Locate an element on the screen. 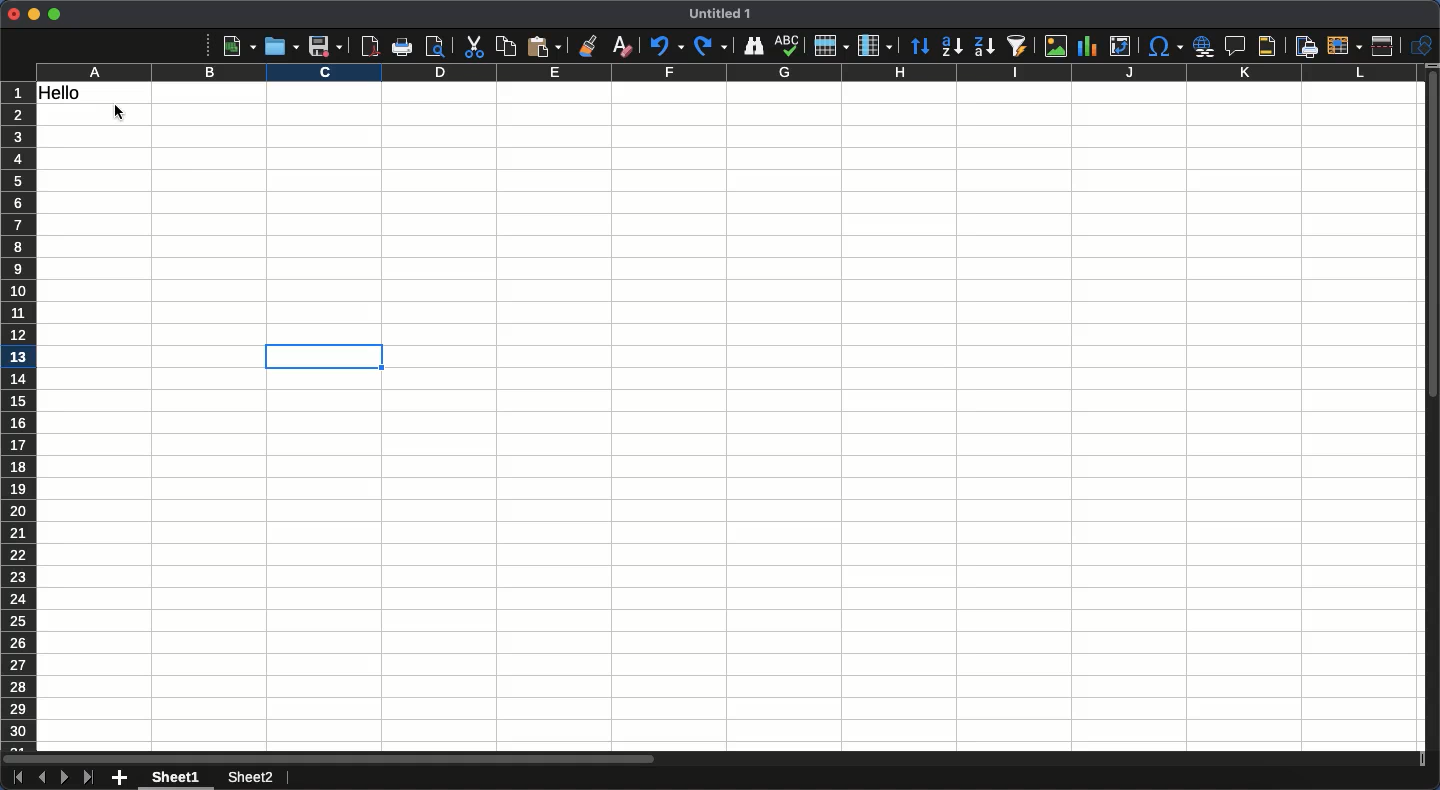 This screenshot has height=790, width=1440. Print preview is located at coordinates (435, 46).